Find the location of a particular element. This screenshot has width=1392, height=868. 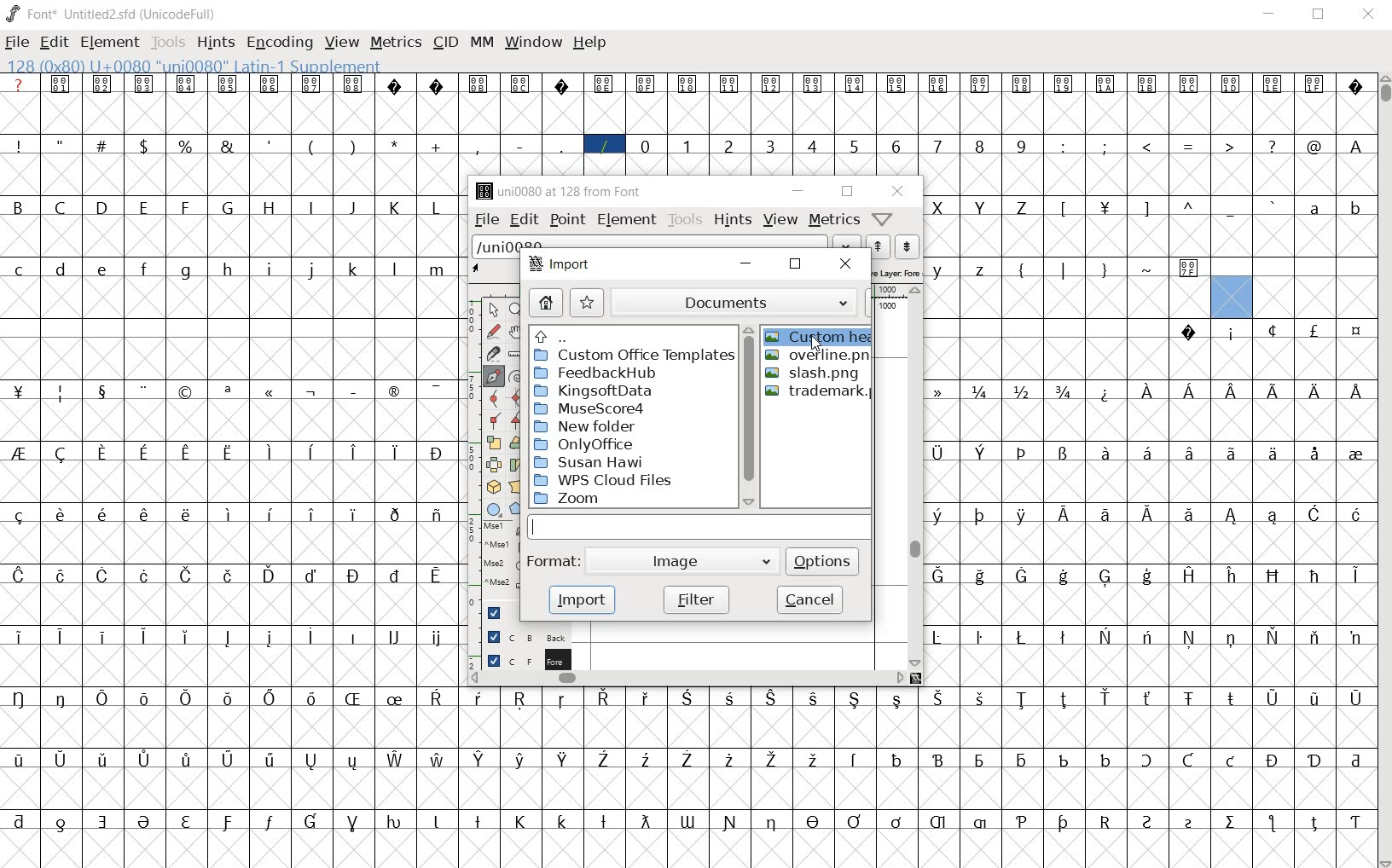

glyph is located at coordinates (1231, 211).